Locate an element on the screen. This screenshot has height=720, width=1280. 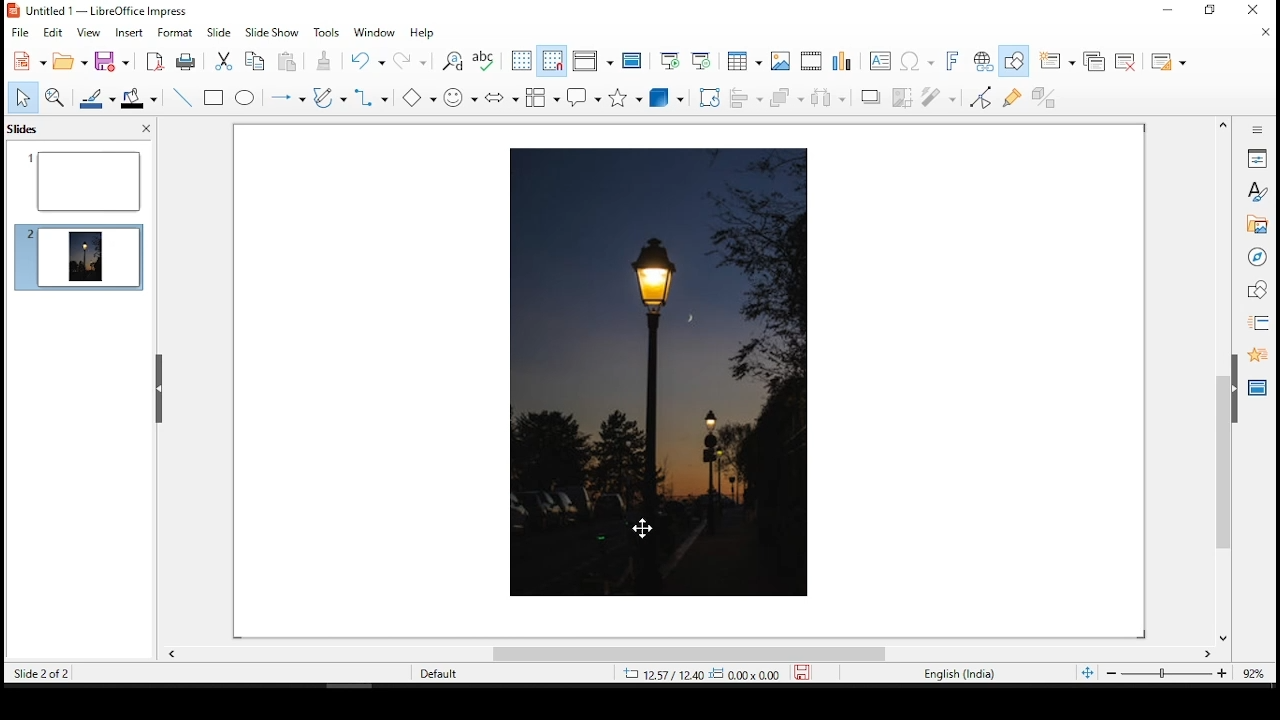
show grid is located at coordinates (520, 60).